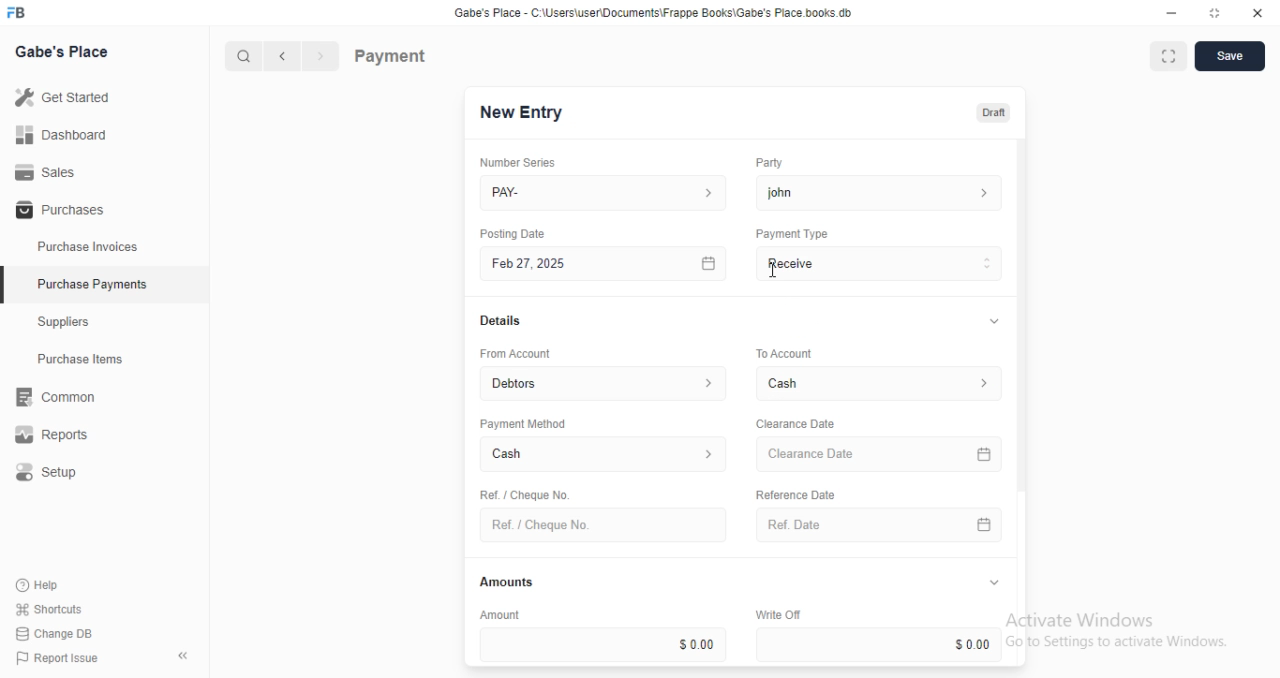  What do you see at coordinates (57, 211) in the screenshot?
I see `Purchases` at bounding box center [57, 211].